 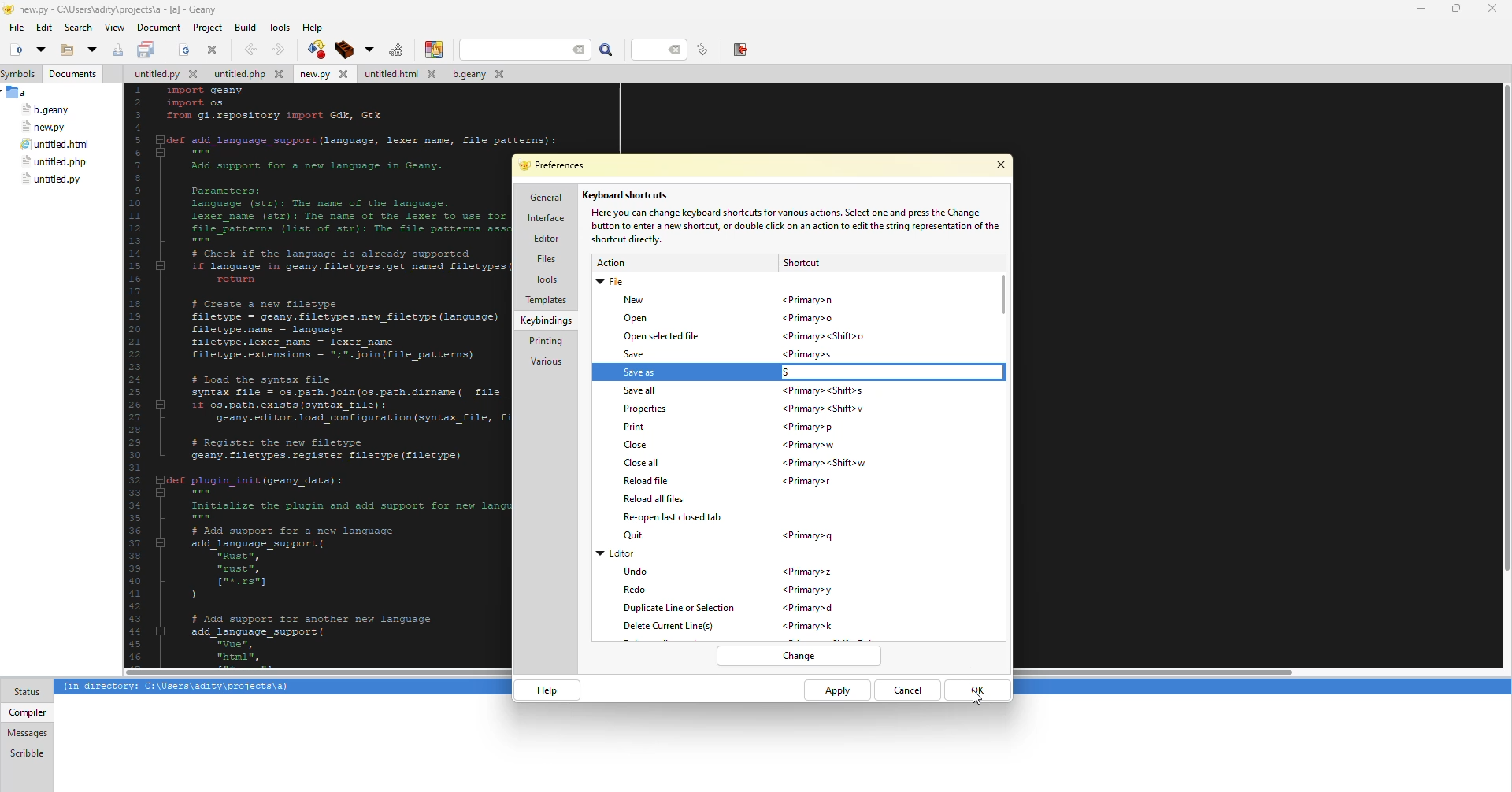 What do you see at coordinates (1003, 287) in the screenshot?
I see `scroll bar` at bounding box center [1003, 287].